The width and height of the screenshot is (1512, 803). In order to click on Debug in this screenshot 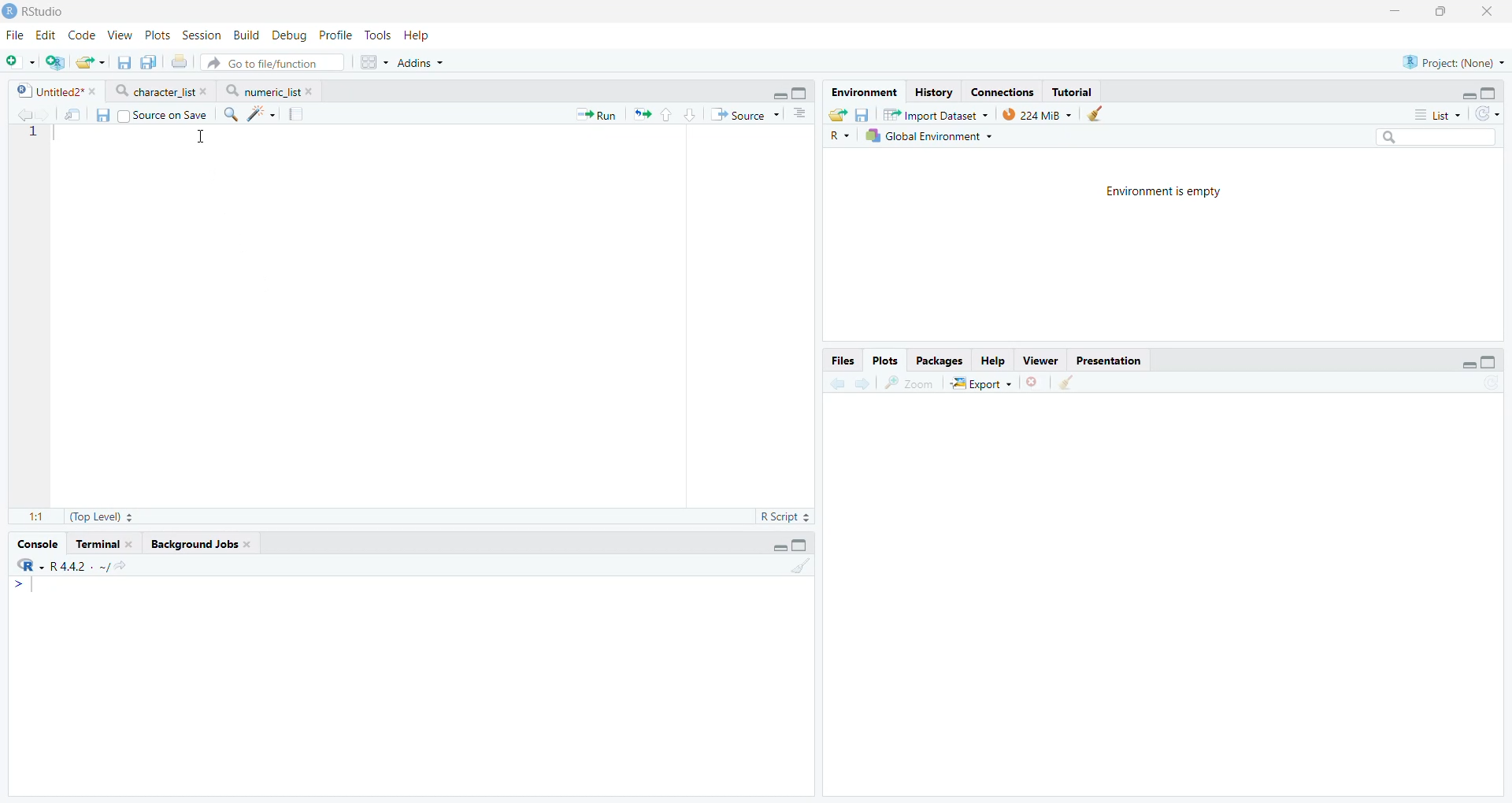, I will do `click(289, 35)`.